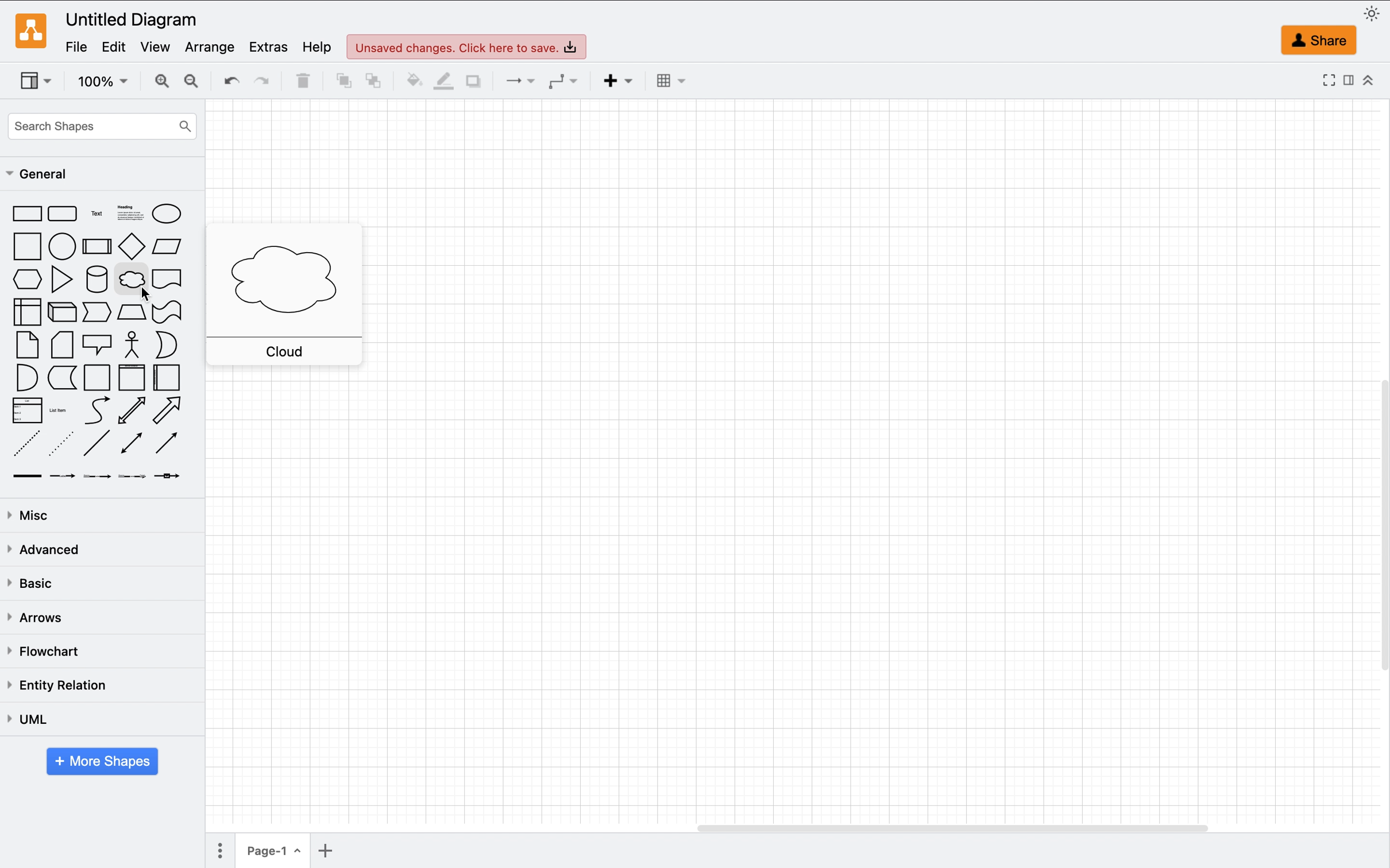 The height and width of the screenshot is (868, 1390). What do you see at coordinates (61, 315) in the screenshot?
I see `cube` at bounding box center [61, 315].